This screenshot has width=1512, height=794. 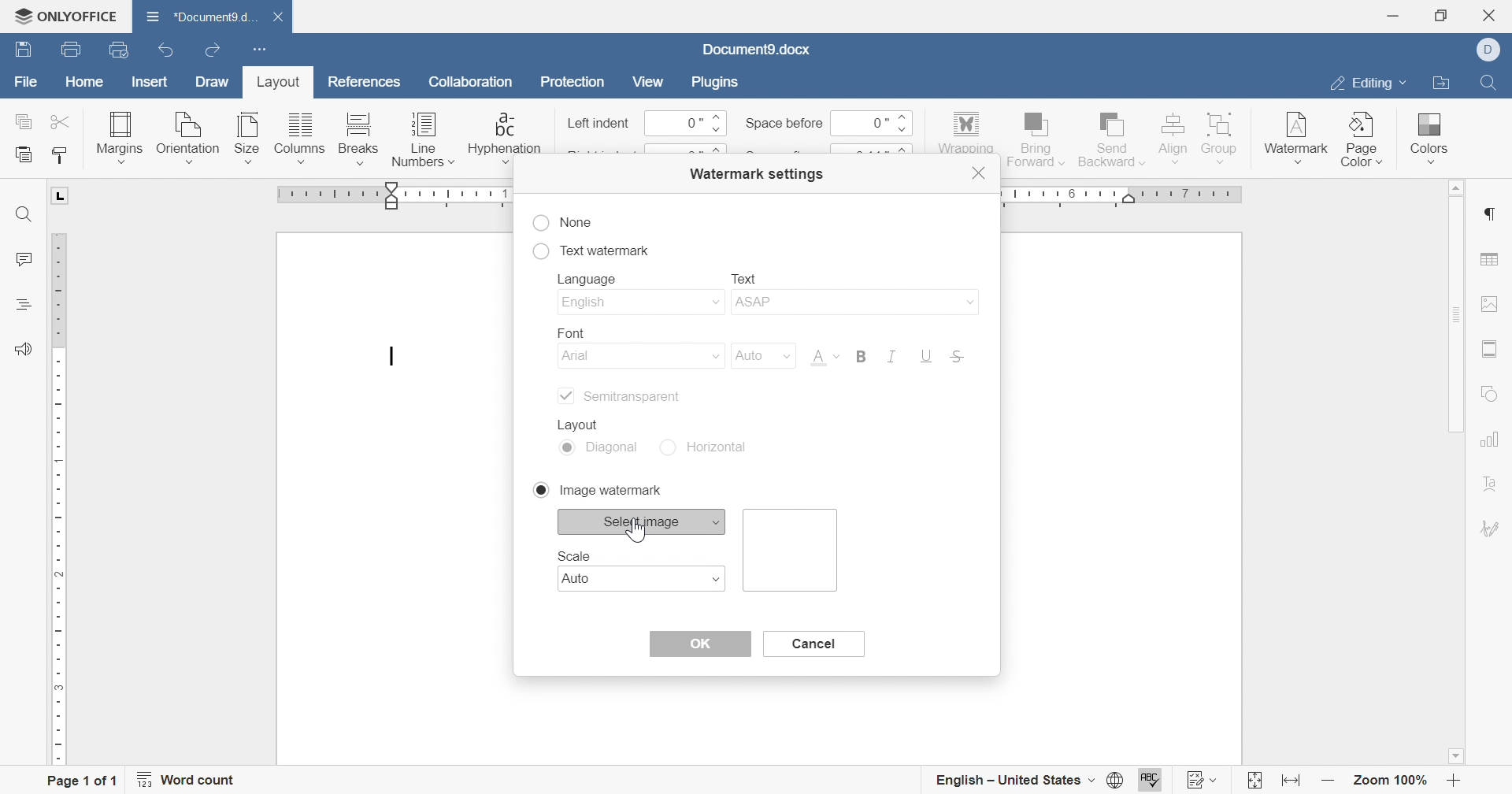 I want to click on redo, so click(x=215, y=52).